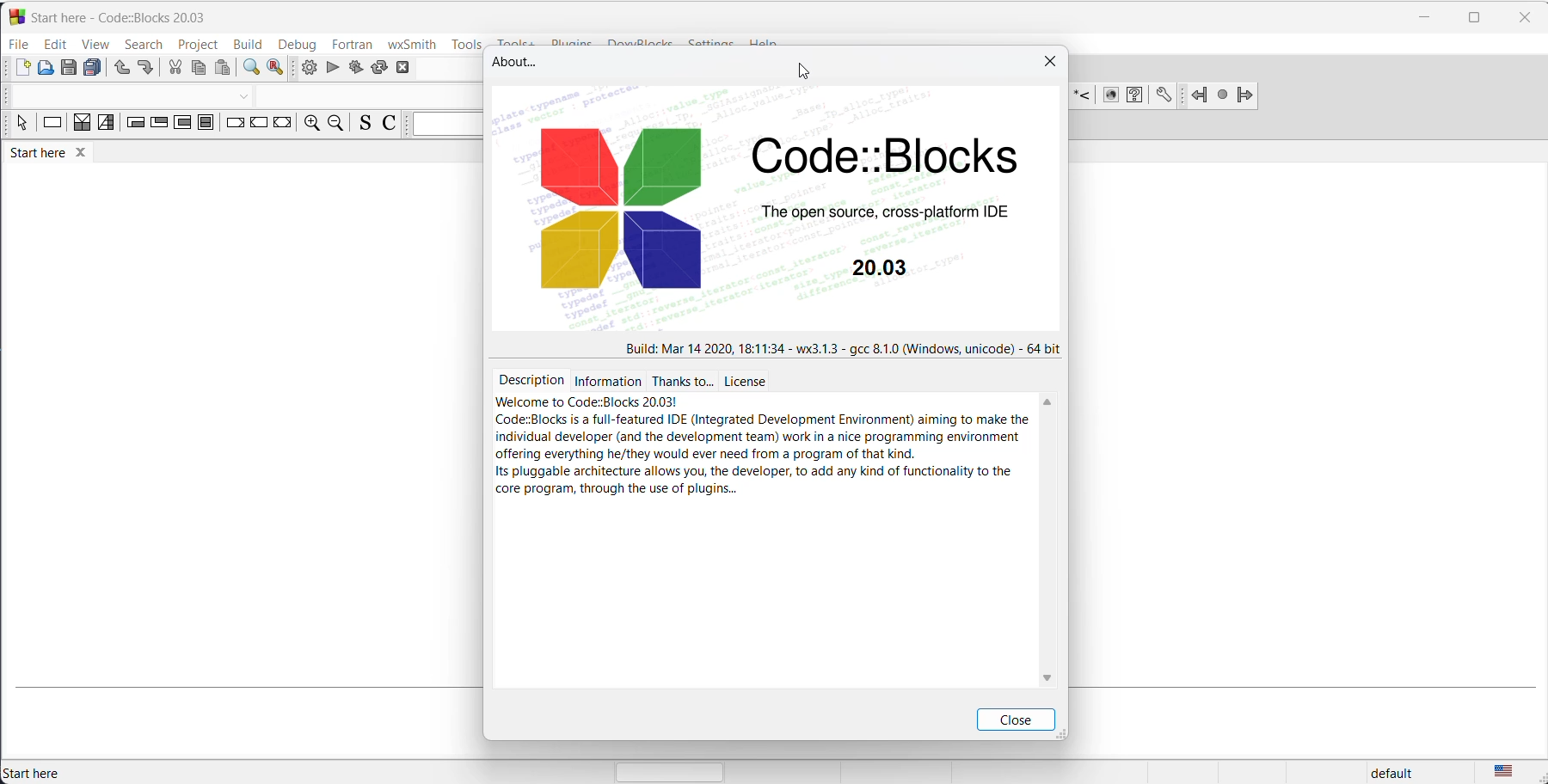 This screenshot has height=784, width=1548. I want to click on selection, so click(107, 126).